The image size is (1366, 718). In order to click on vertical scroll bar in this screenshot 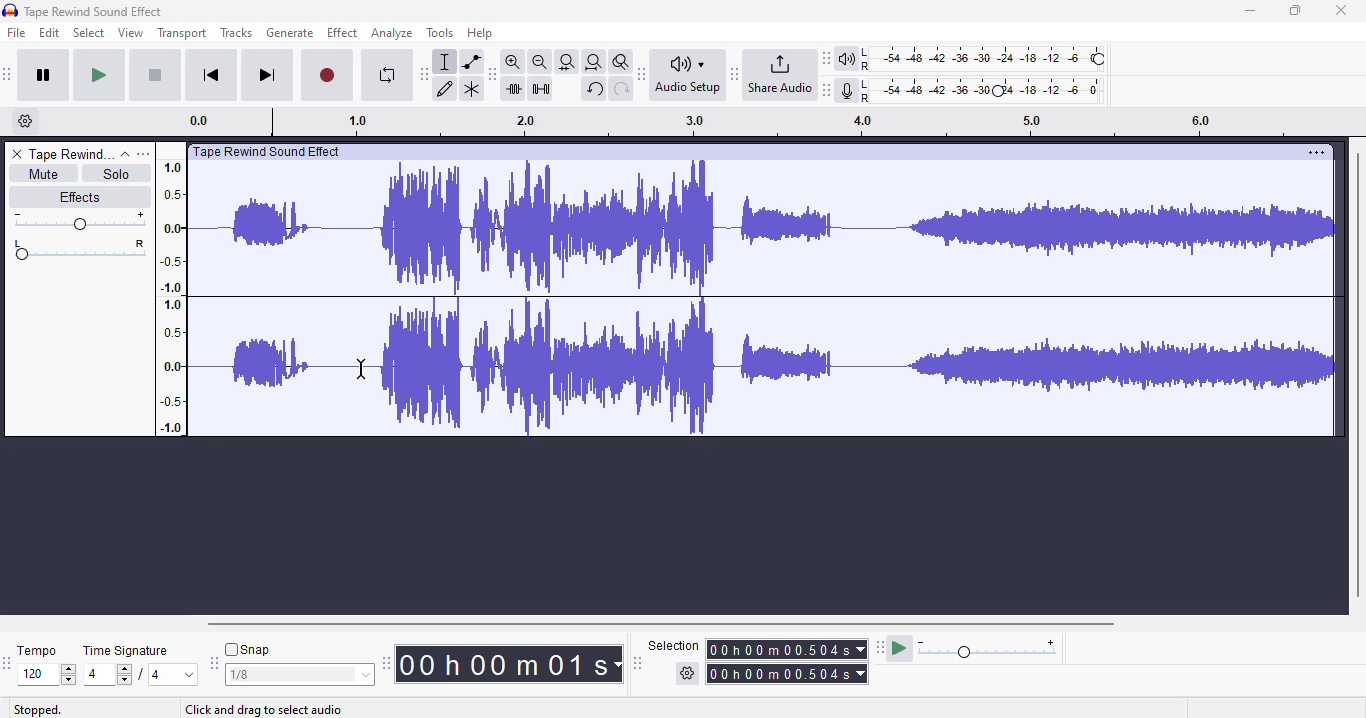, I will do `click(1357, 374)`.